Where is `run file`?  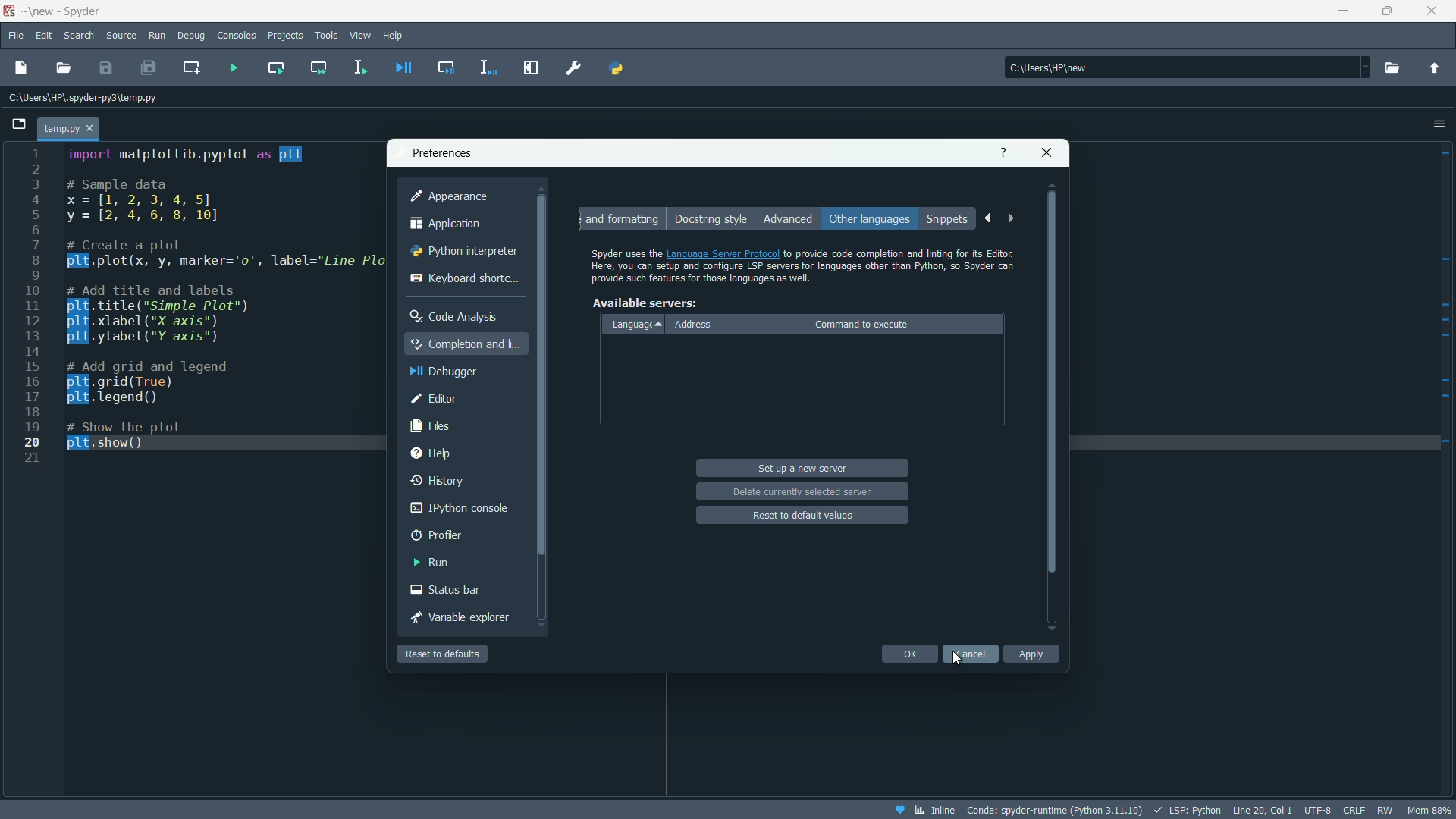 run file is located at coordinates (234, 68).